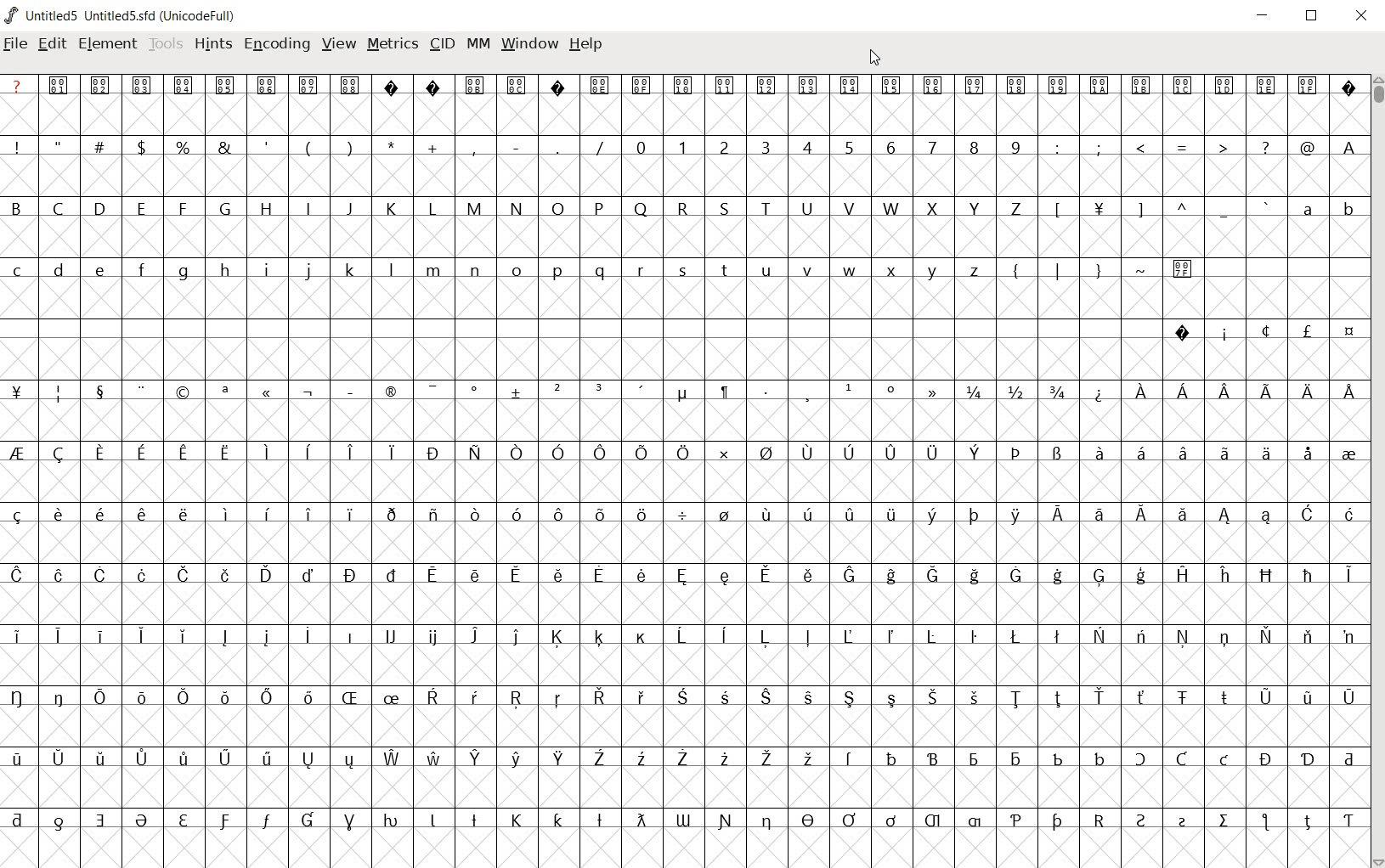 The height and width of the screenshot is (868, 1385). I want to click on Symbol, so click(1348, 758).